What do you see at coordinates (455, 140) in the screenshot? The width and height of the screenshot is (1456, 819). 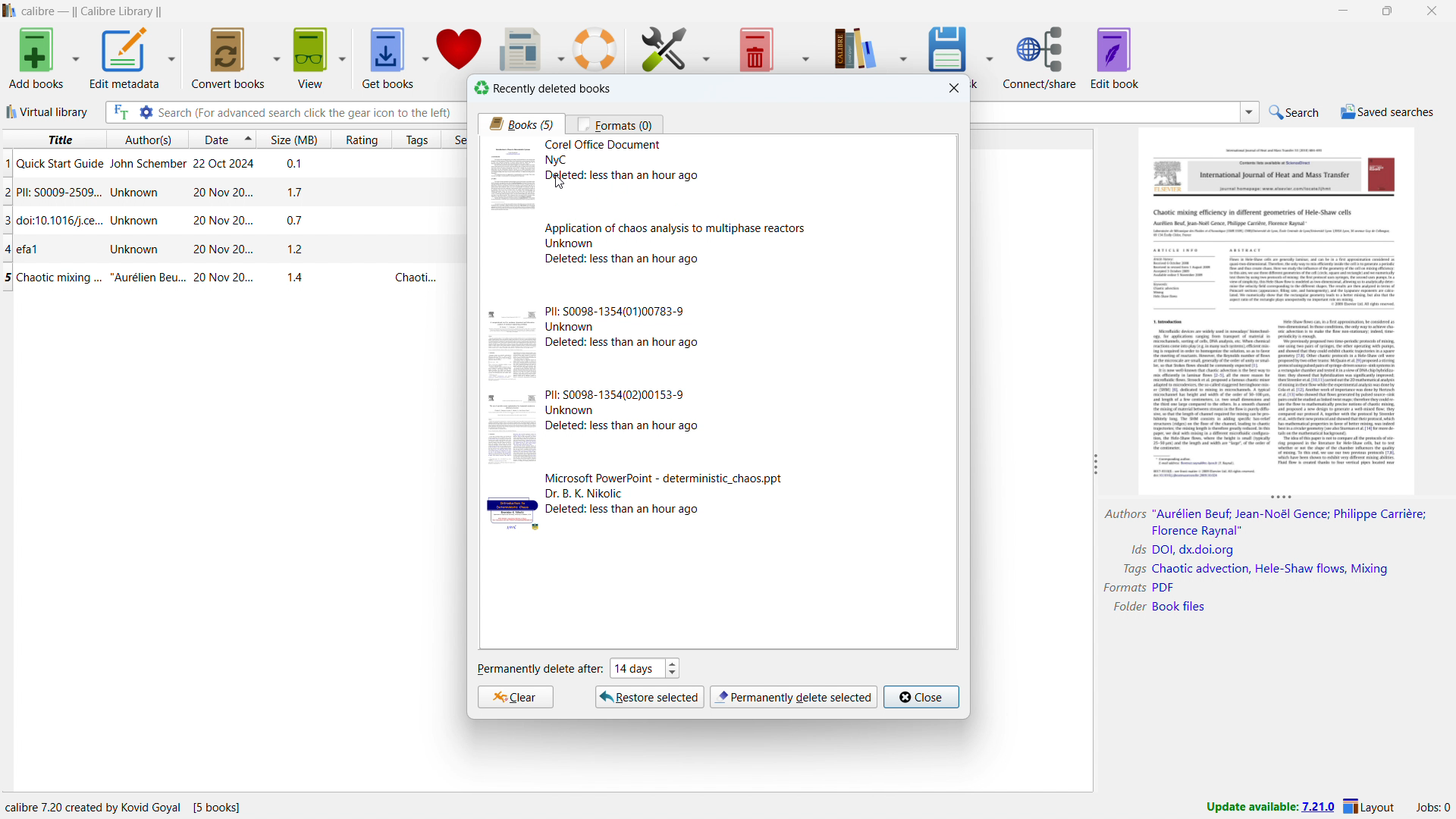 I see `sort by series` at bounding box center [455, 140].